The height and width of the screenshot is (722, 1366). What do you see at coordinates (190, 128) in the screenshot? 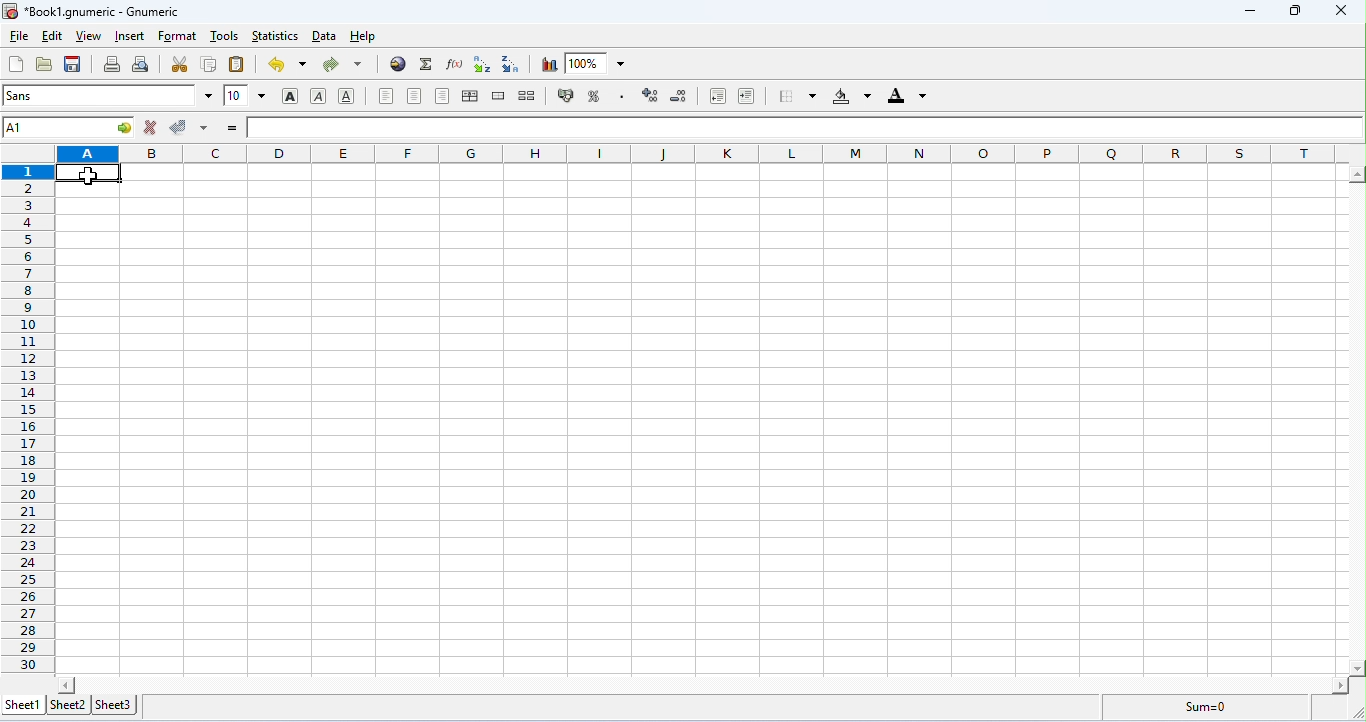
I see `accept change` at bounding box center [190, 128].